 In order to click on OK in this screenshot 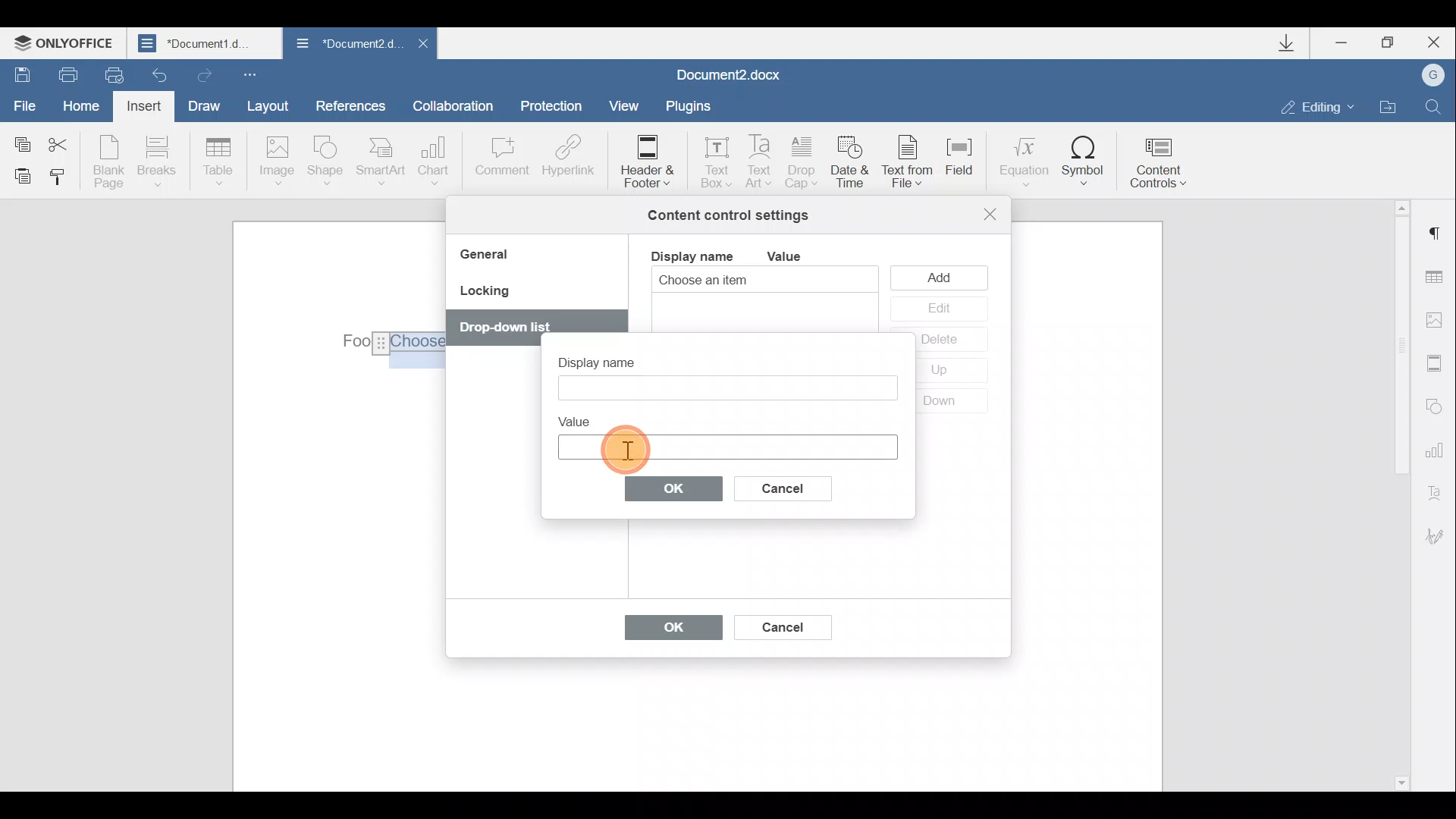, I will do `click(666, 631)`.